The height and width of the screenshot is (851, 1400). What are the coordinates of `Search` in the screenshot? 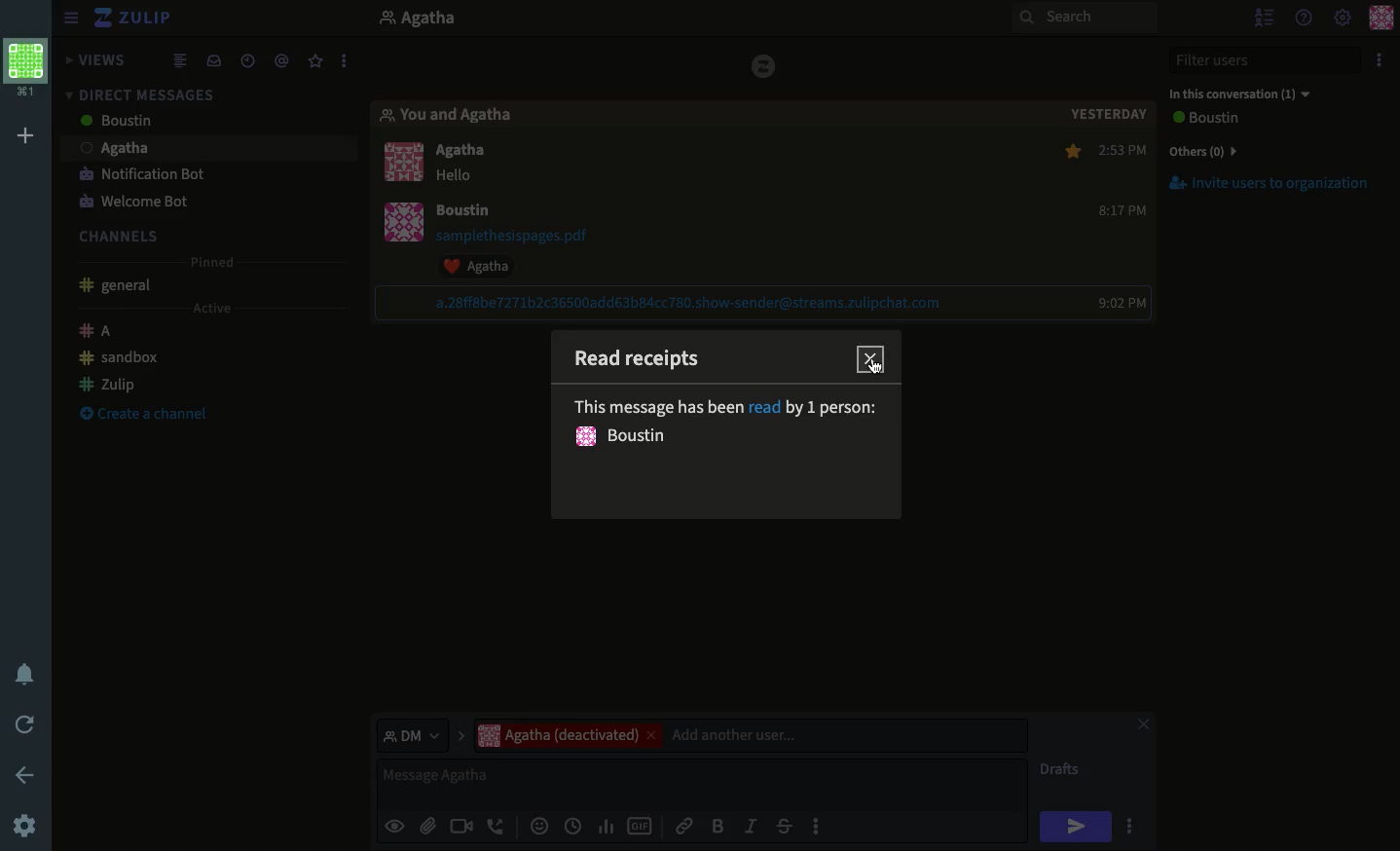 It's located at (1085, 18).